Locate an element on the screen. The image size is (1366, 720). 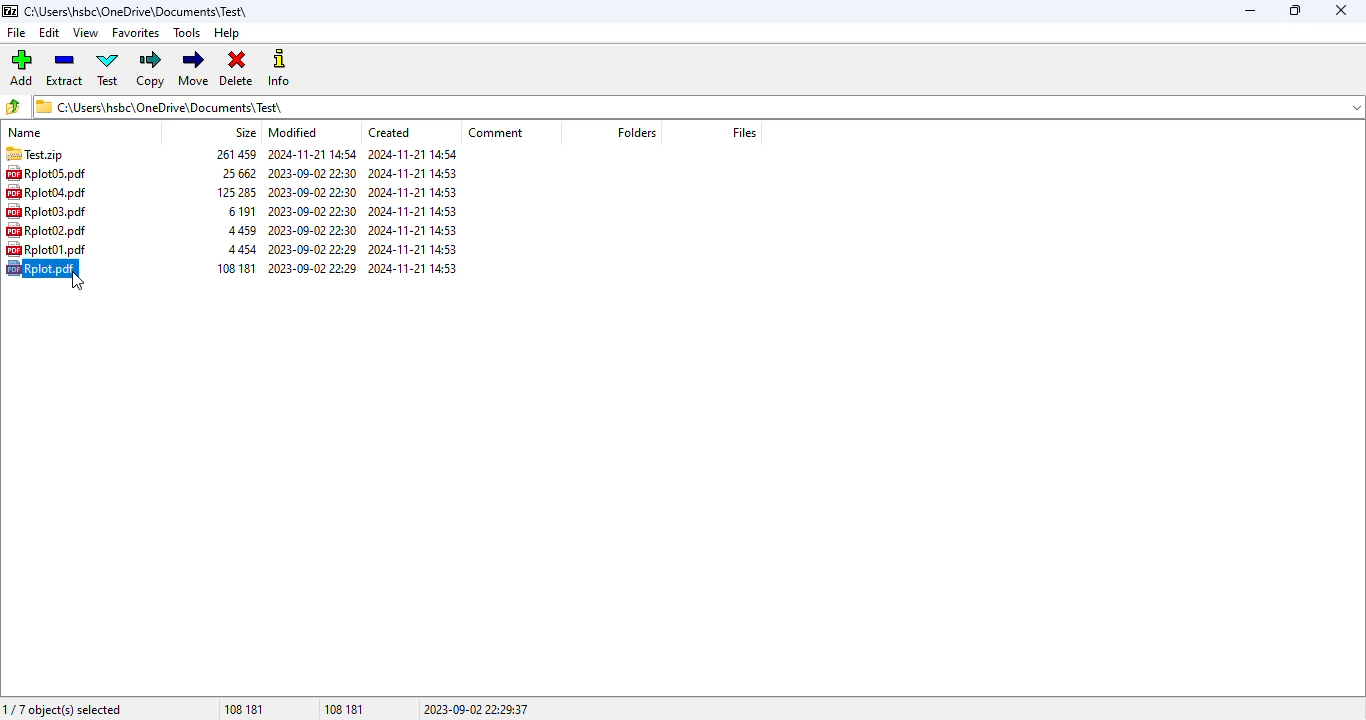
 2024-11-2114:54 is located at coordinates (418, 153).